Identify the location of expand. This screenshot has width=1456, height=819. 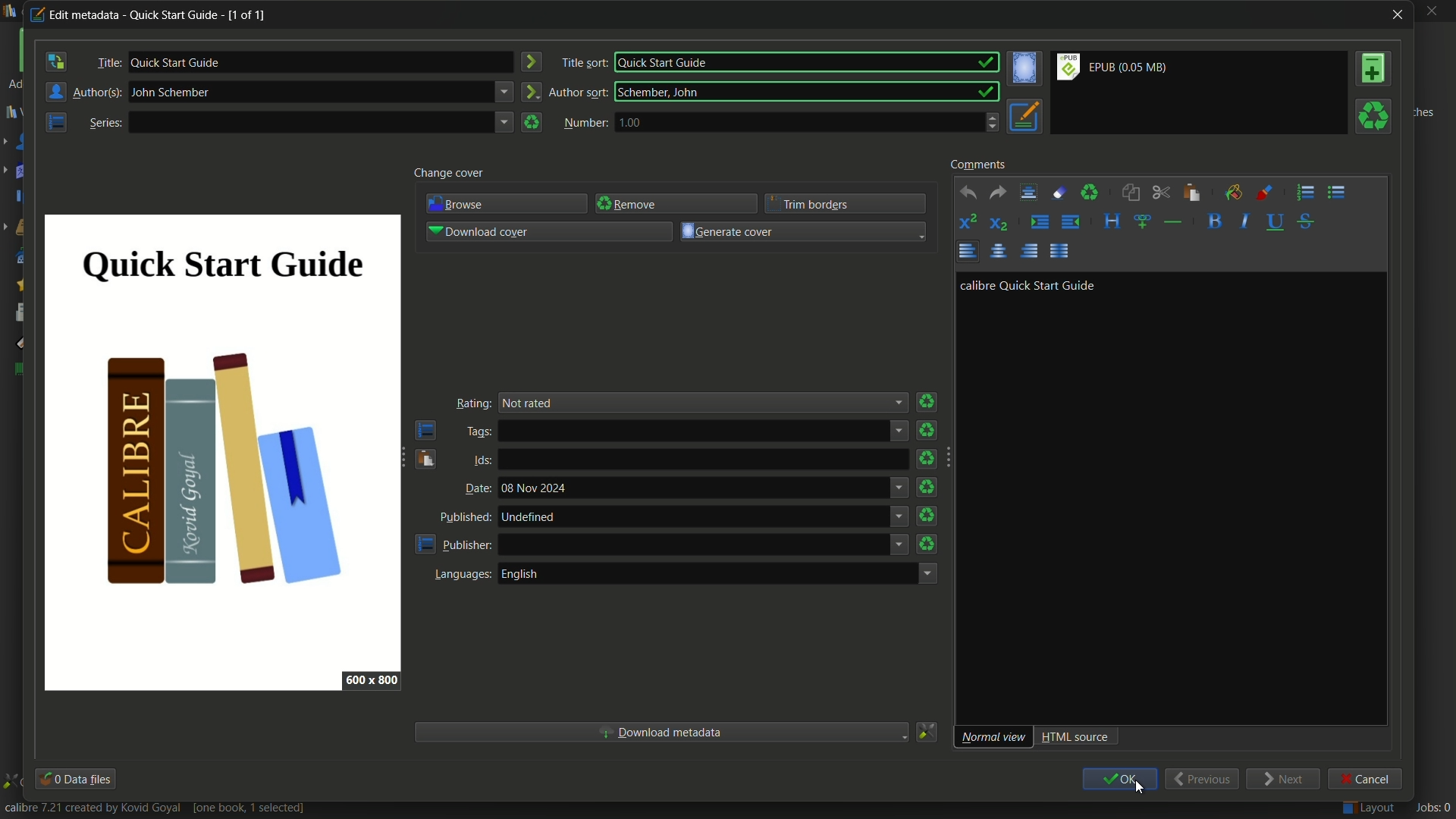
(503, 124).